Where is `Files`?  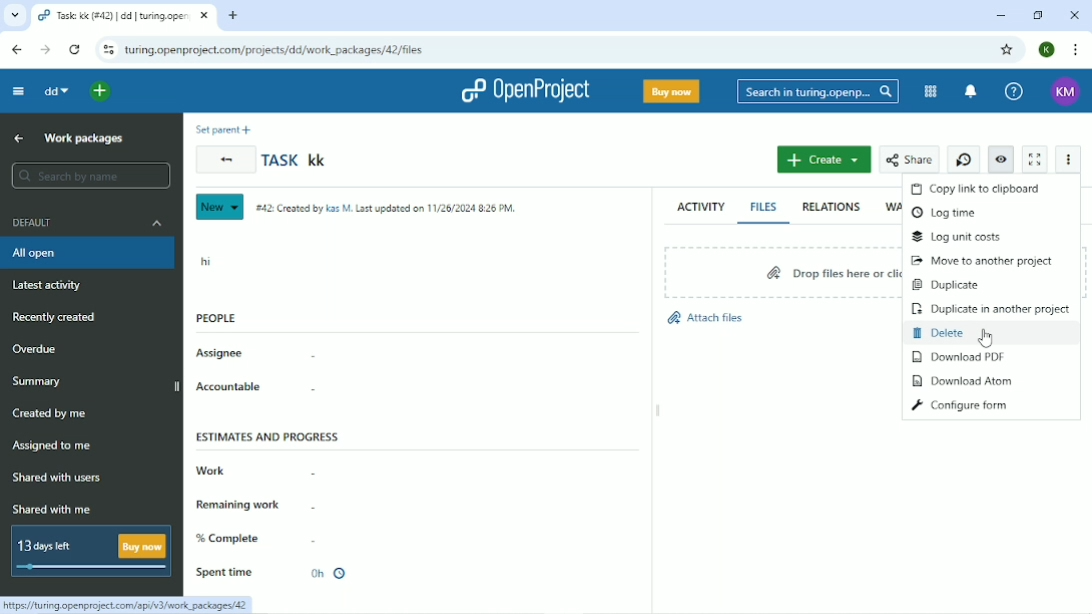 Files is located at coordinates (765, 208).